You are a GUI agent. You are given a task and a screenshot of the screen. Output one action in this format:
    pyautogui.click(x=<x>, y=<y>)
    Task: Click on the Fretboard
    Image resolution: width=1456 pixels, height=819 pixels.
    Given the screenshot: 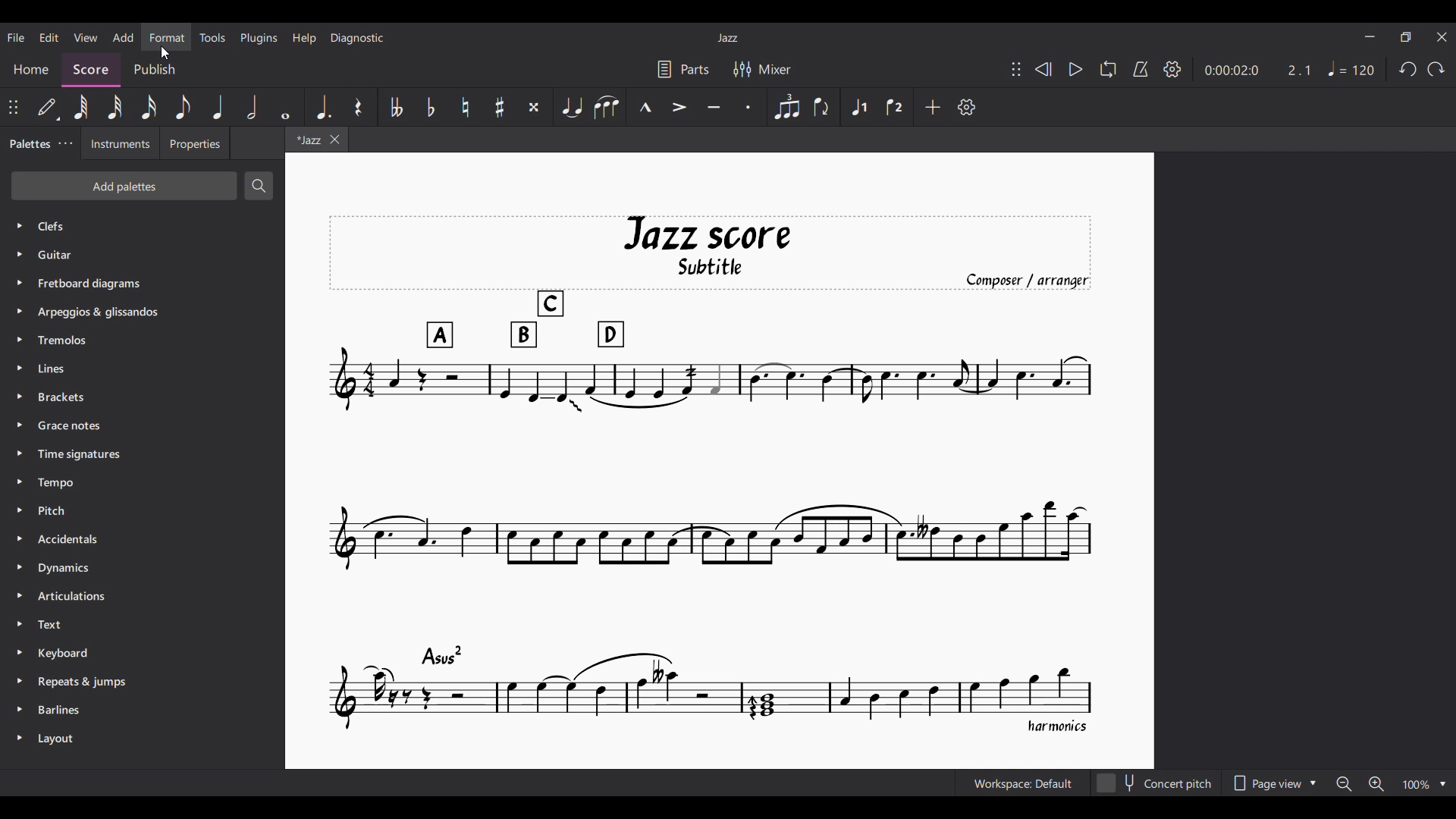 What is the action you would take?
    pyautogui.click(x=88, y=284)
    